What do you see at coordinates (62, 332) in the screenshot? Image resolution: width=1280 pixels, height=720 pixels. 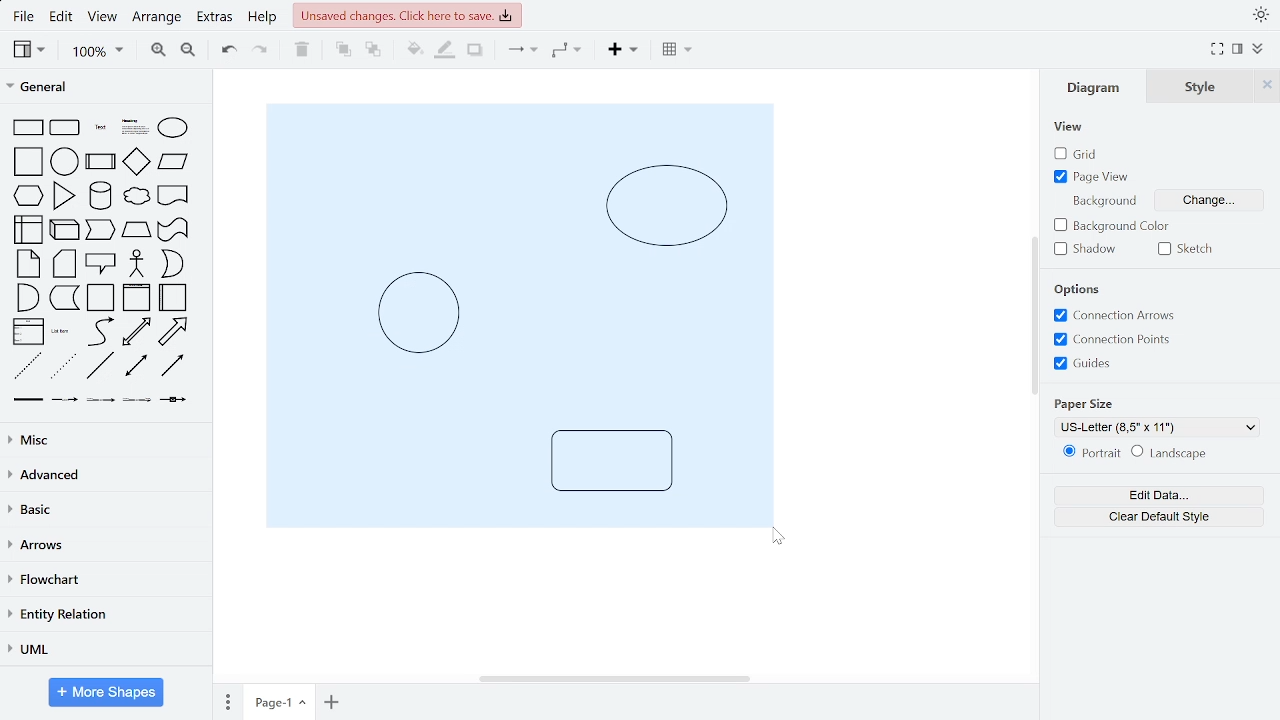 I see `list item` at bounding box center [62, 332].